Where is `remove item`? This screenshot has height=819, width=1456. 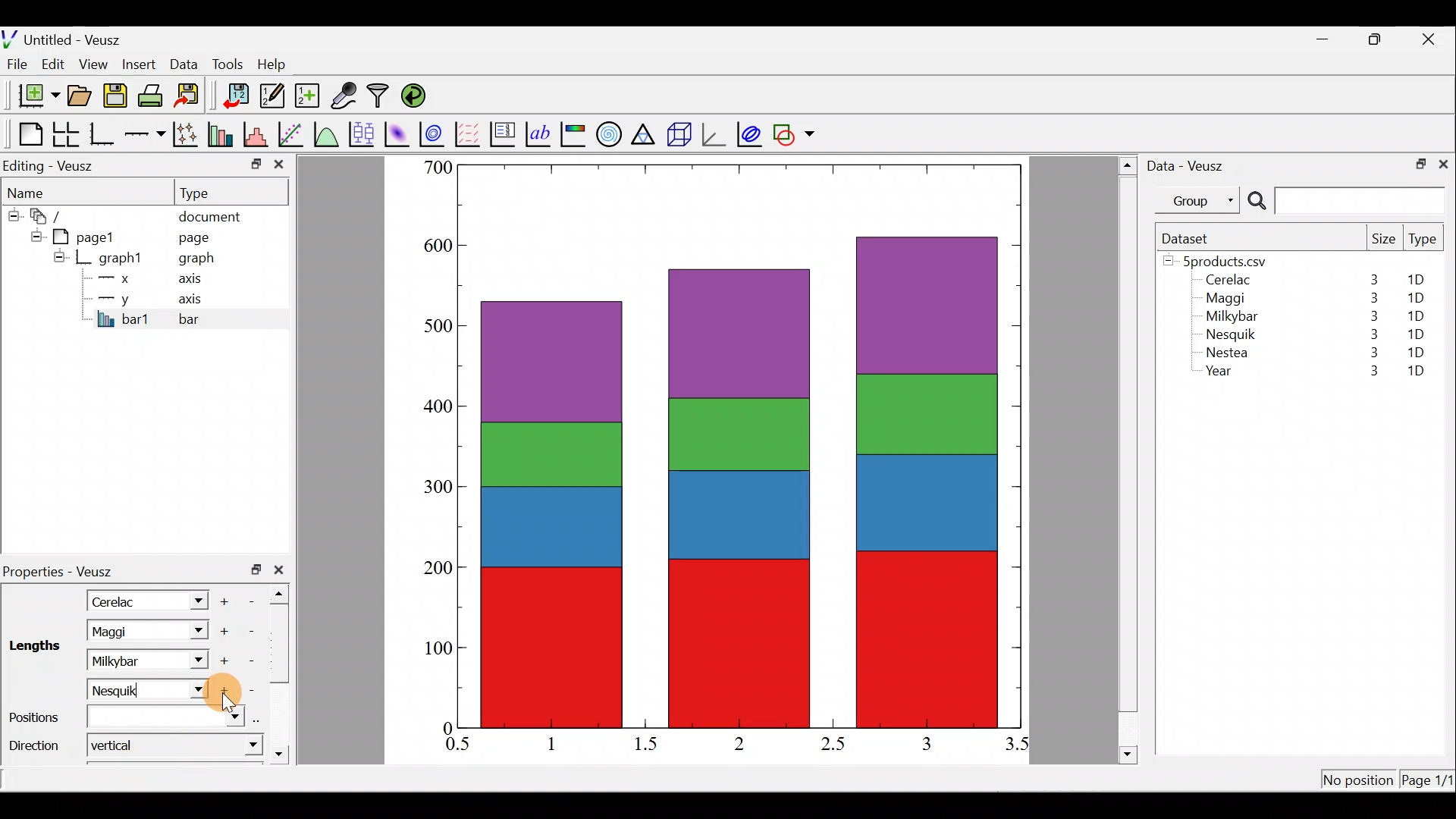
remove item is located at coordinates (250, 631).